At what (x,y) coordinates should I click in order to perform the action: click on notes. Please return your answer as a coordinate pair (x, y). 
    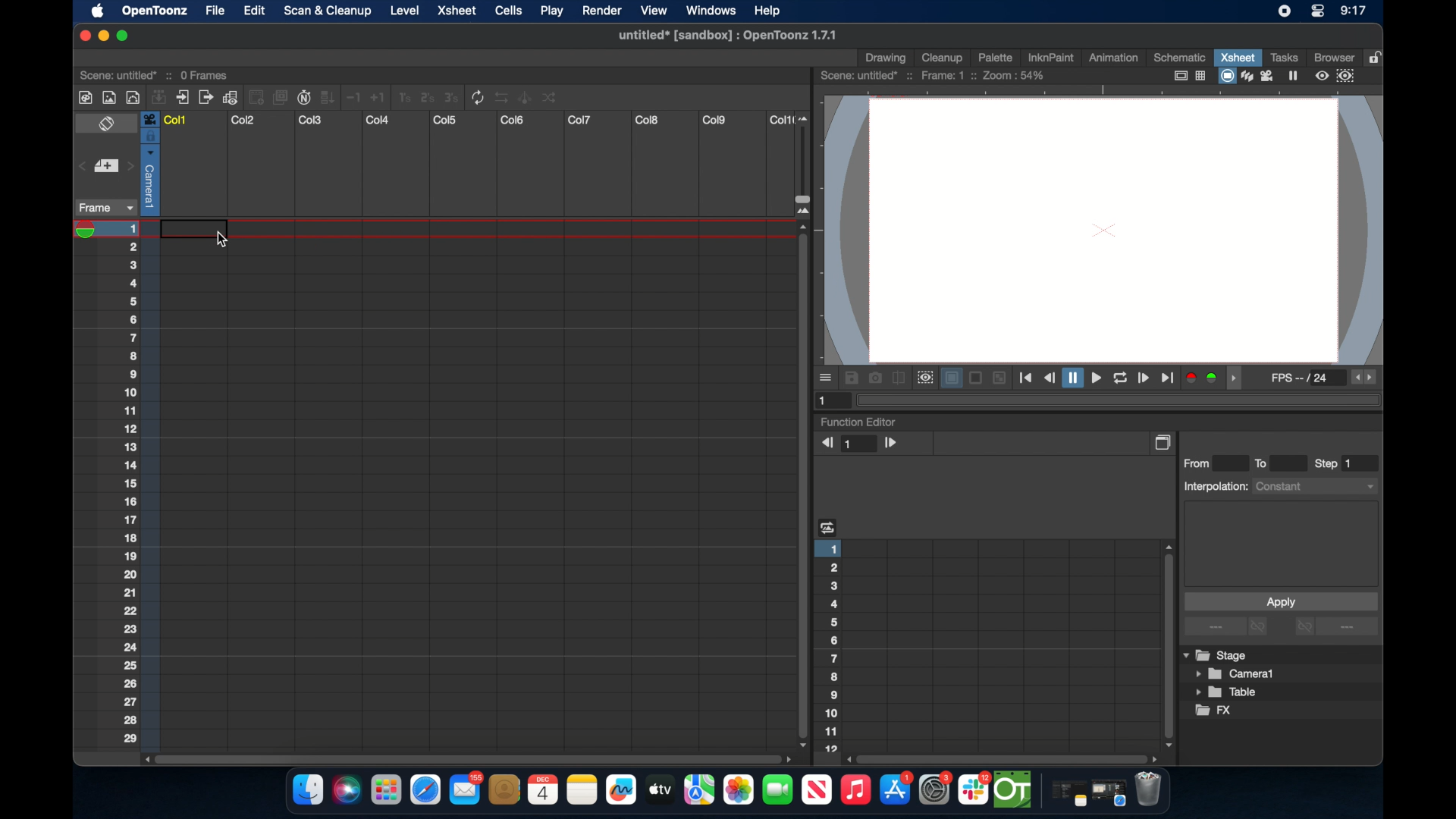
    Looking at the image, I should click on (1065, 795).